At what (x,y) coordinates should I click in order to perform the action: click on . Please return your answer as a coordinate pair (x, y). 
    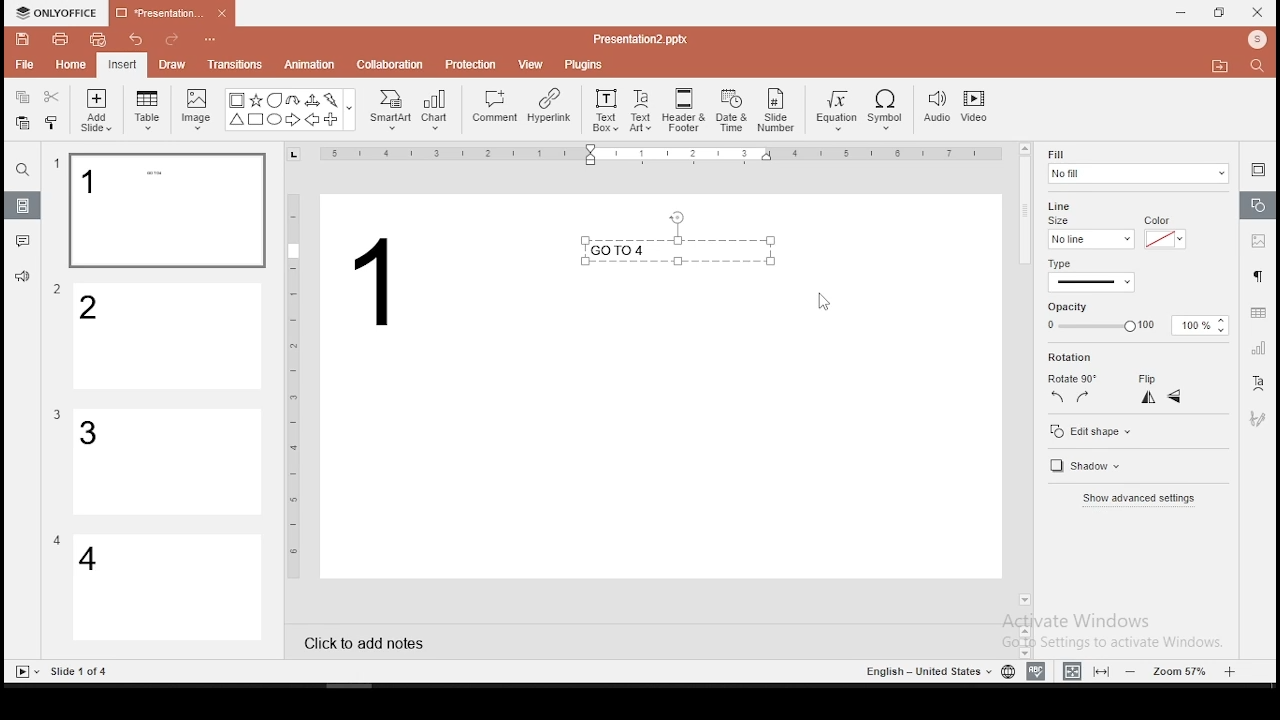
    Looking at the image, I should click on (57, 540).